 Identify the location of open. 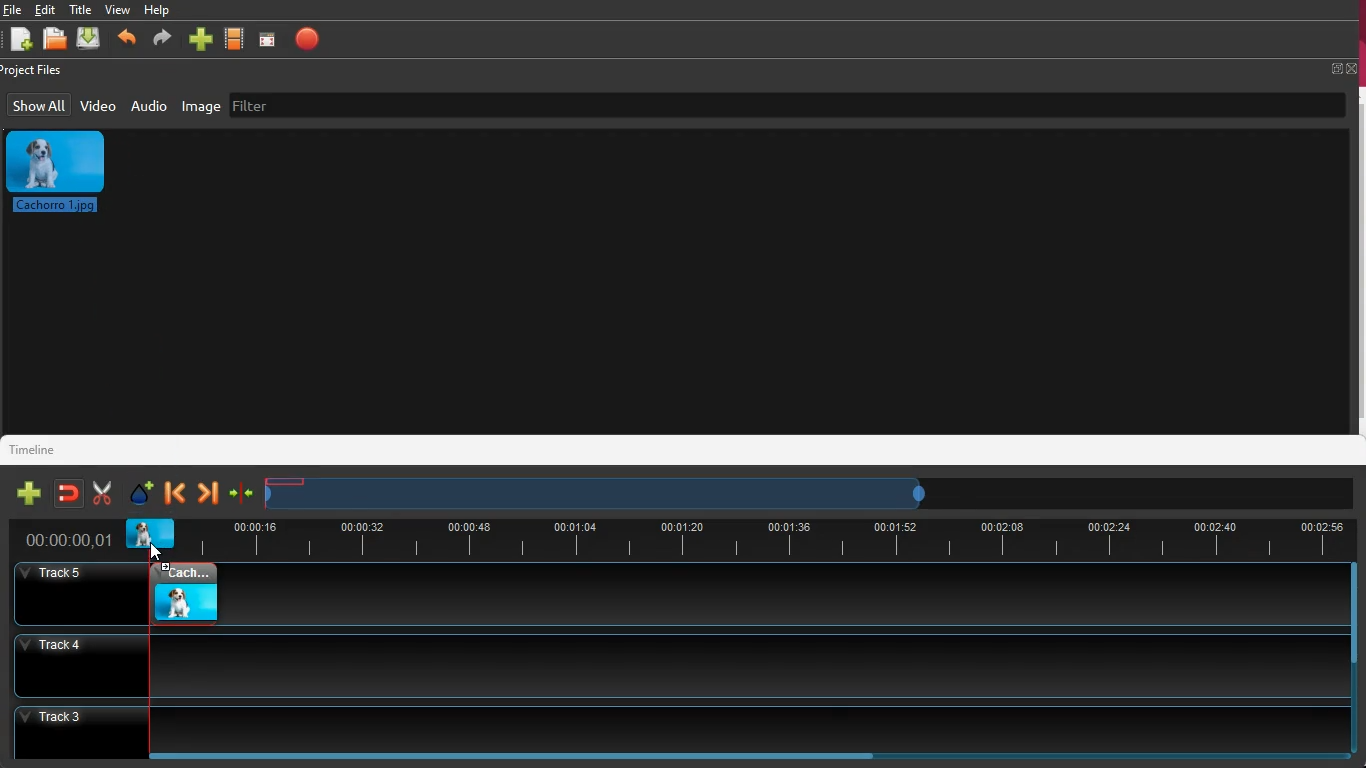
(55, 40).